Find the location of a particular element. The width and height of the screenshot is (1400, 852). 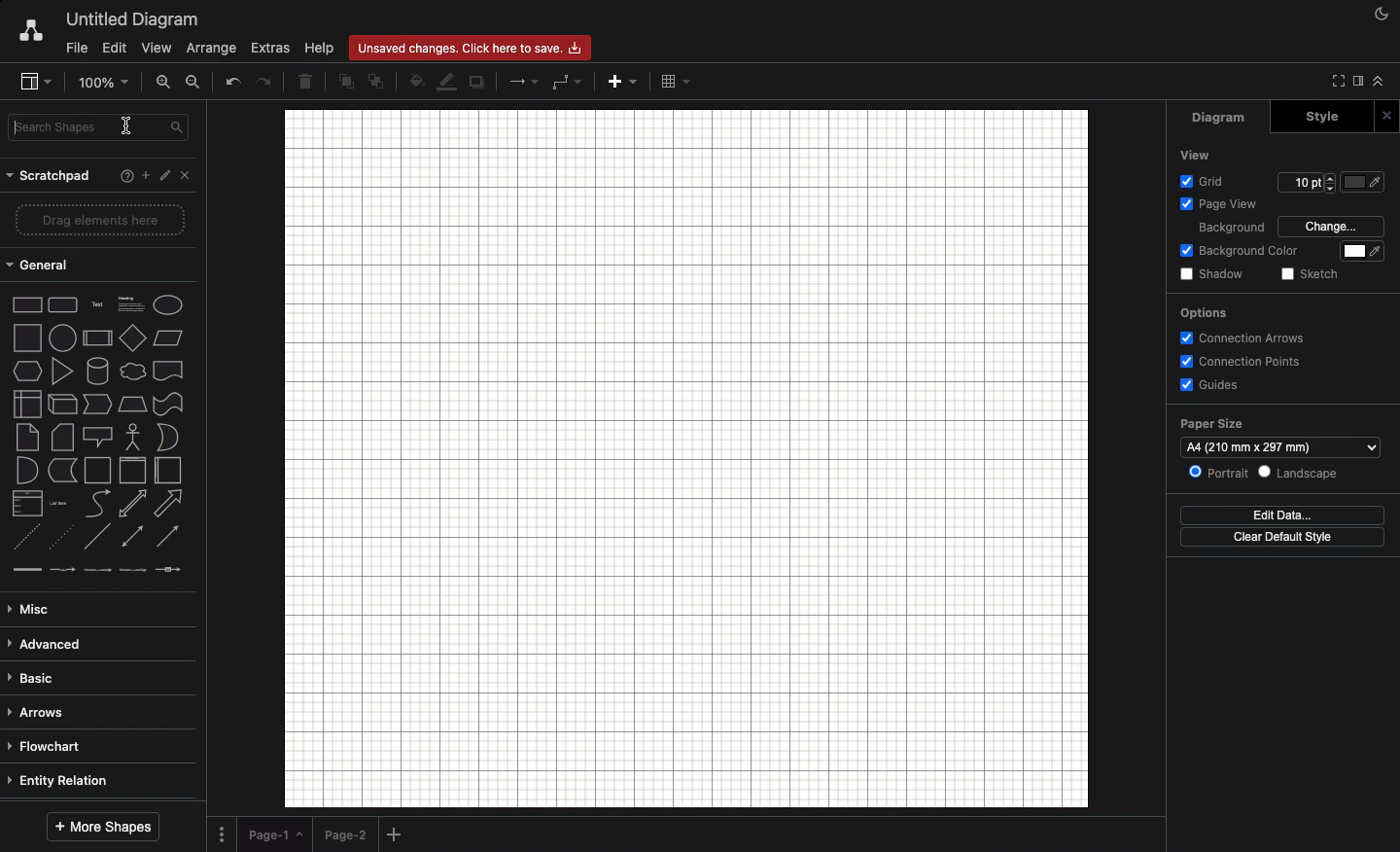

cursor is located at coordinates (126, 125).